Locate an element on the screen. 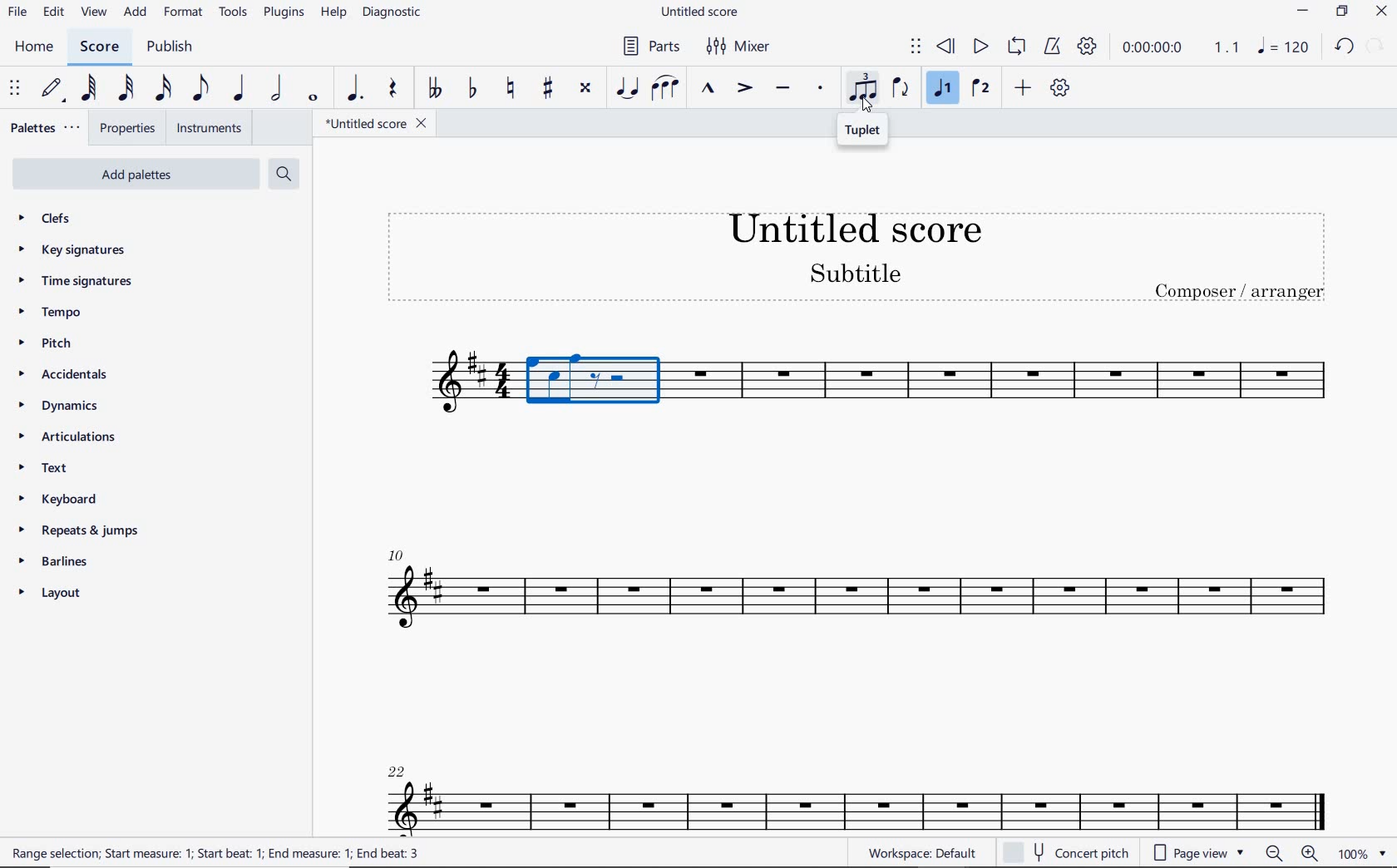 The width and height of the screenshot is (1397, 868). CLEFS is located at coordinates (58, 220).